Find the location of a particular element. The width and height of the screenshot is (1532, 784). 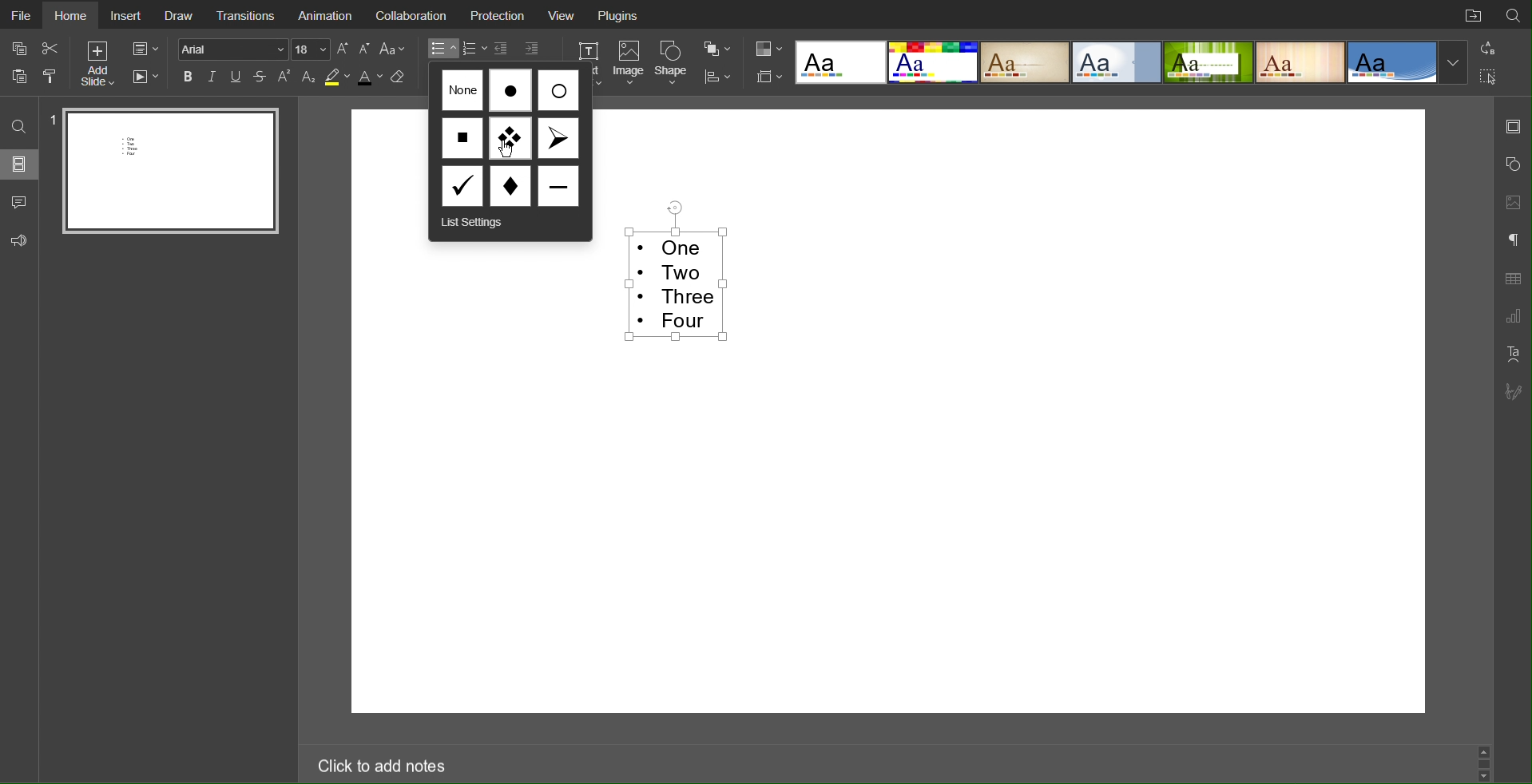

Slide Settings is located at coordinates (144, 48).